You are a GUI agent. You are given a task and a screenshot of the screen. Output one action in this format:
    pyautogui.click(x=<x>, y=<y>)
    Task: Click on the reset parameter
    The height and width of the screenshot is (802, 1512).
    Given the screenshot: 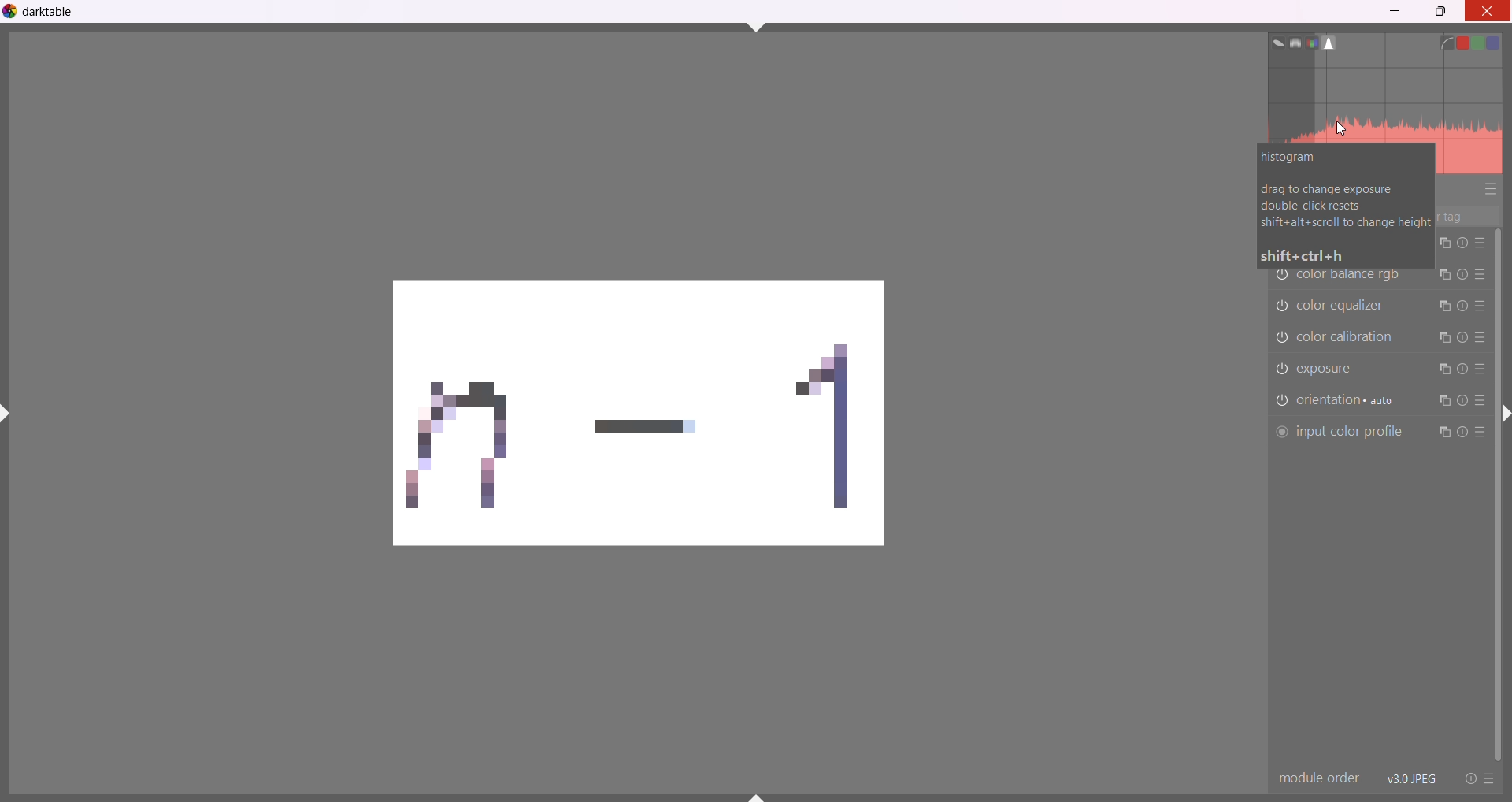 What is the action you would take?
    pyautogui.click(x=1462, y=433)
    